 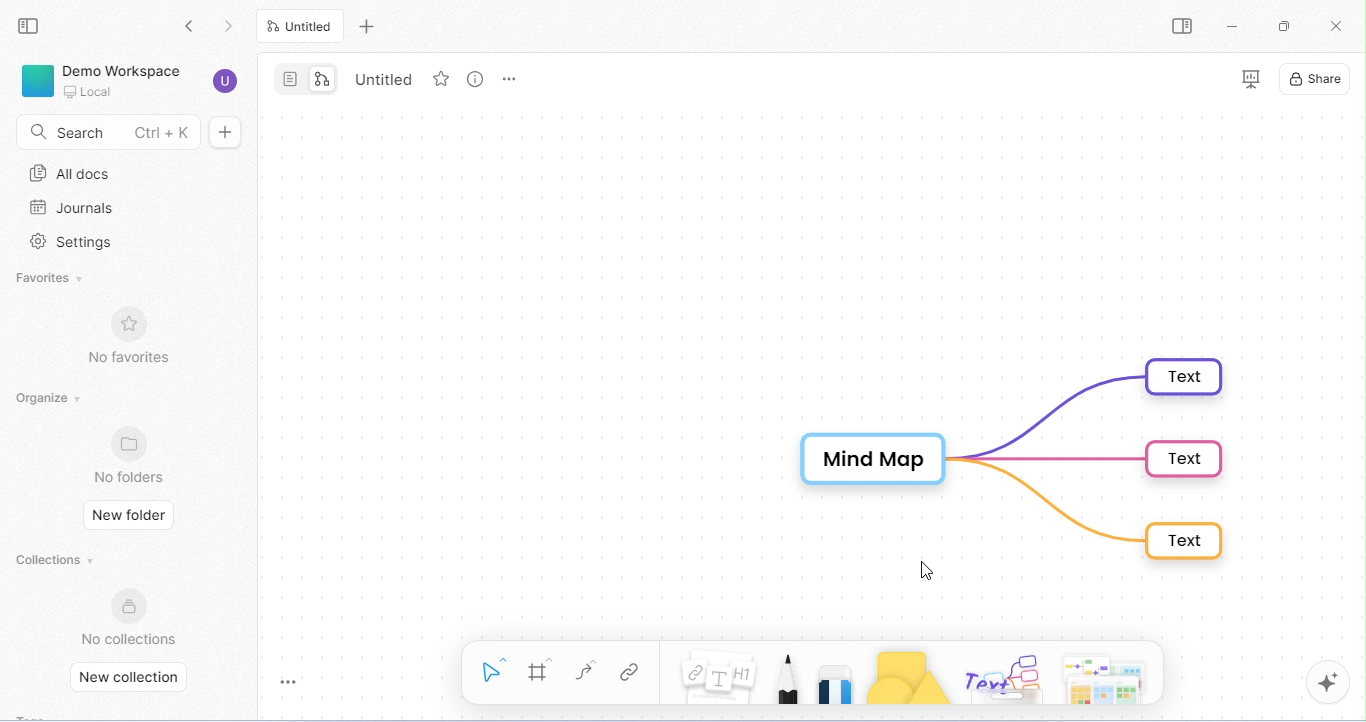 I want to click on pencil, so click(x=789, y=677).